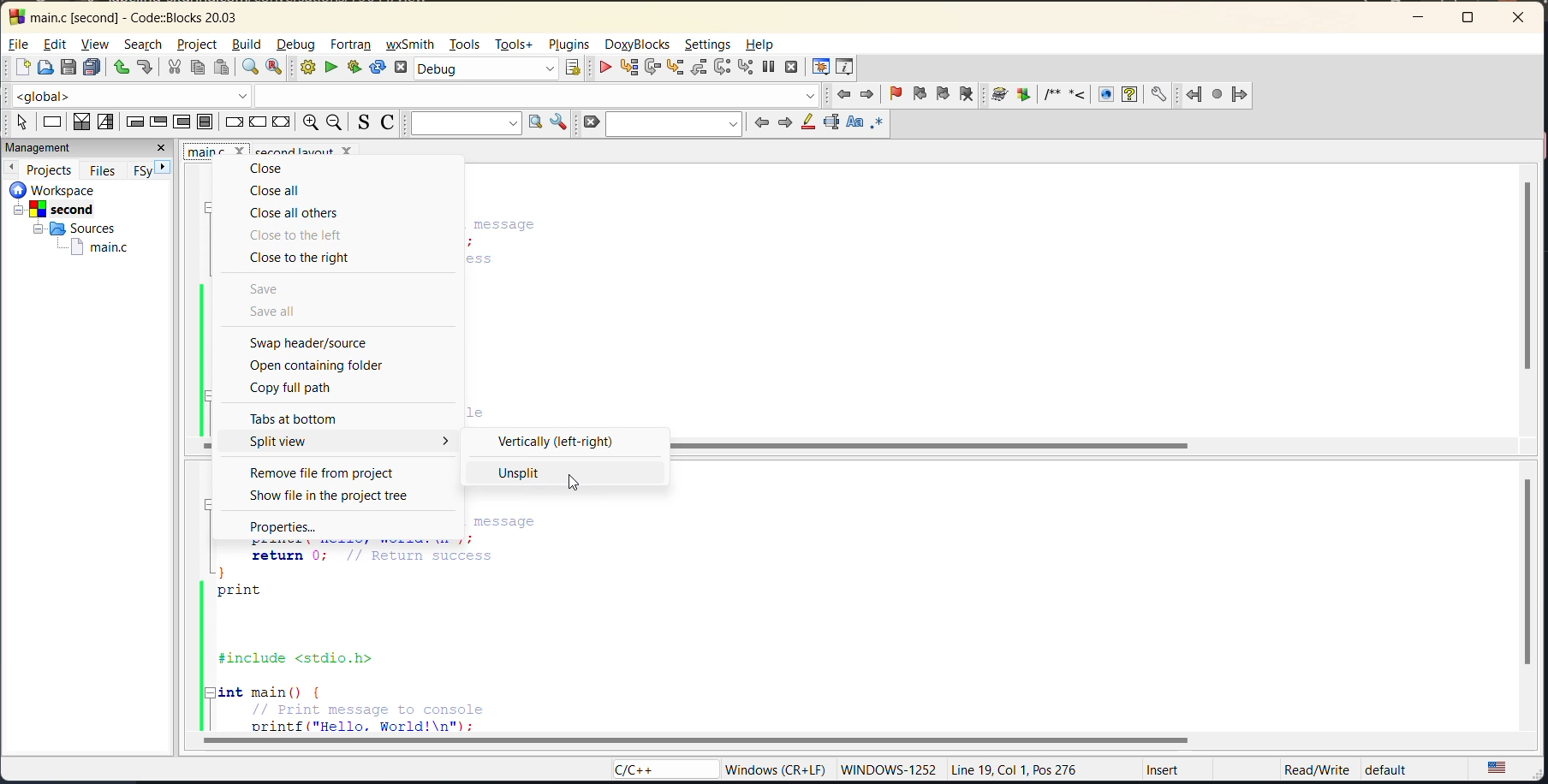 The image size is (1548, 784). What do you see at coordinates (675, 69) in the screenshot?
I see `step into` at bounding box center [675, 69].